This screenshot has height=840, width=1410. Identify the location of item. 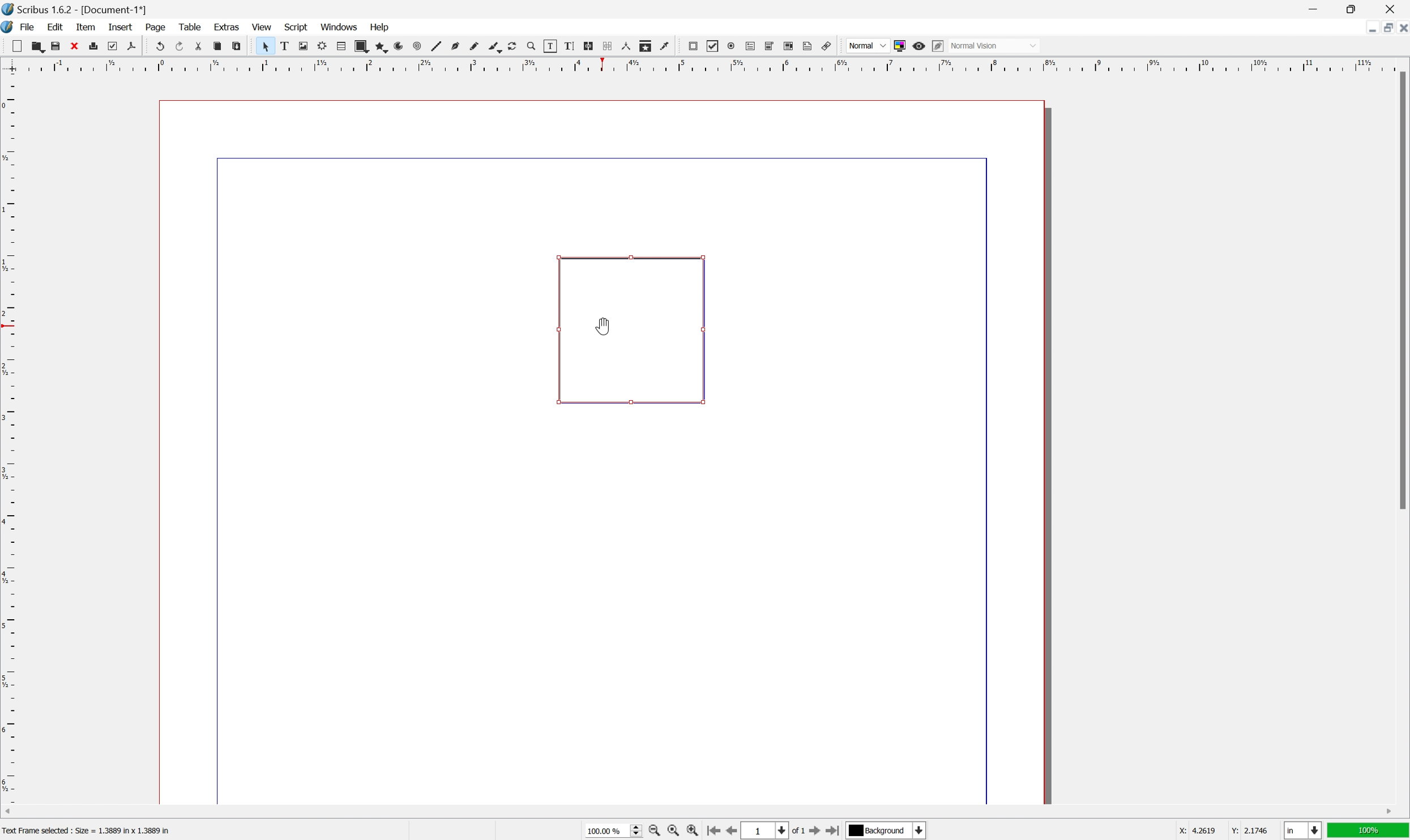
(86, 27).